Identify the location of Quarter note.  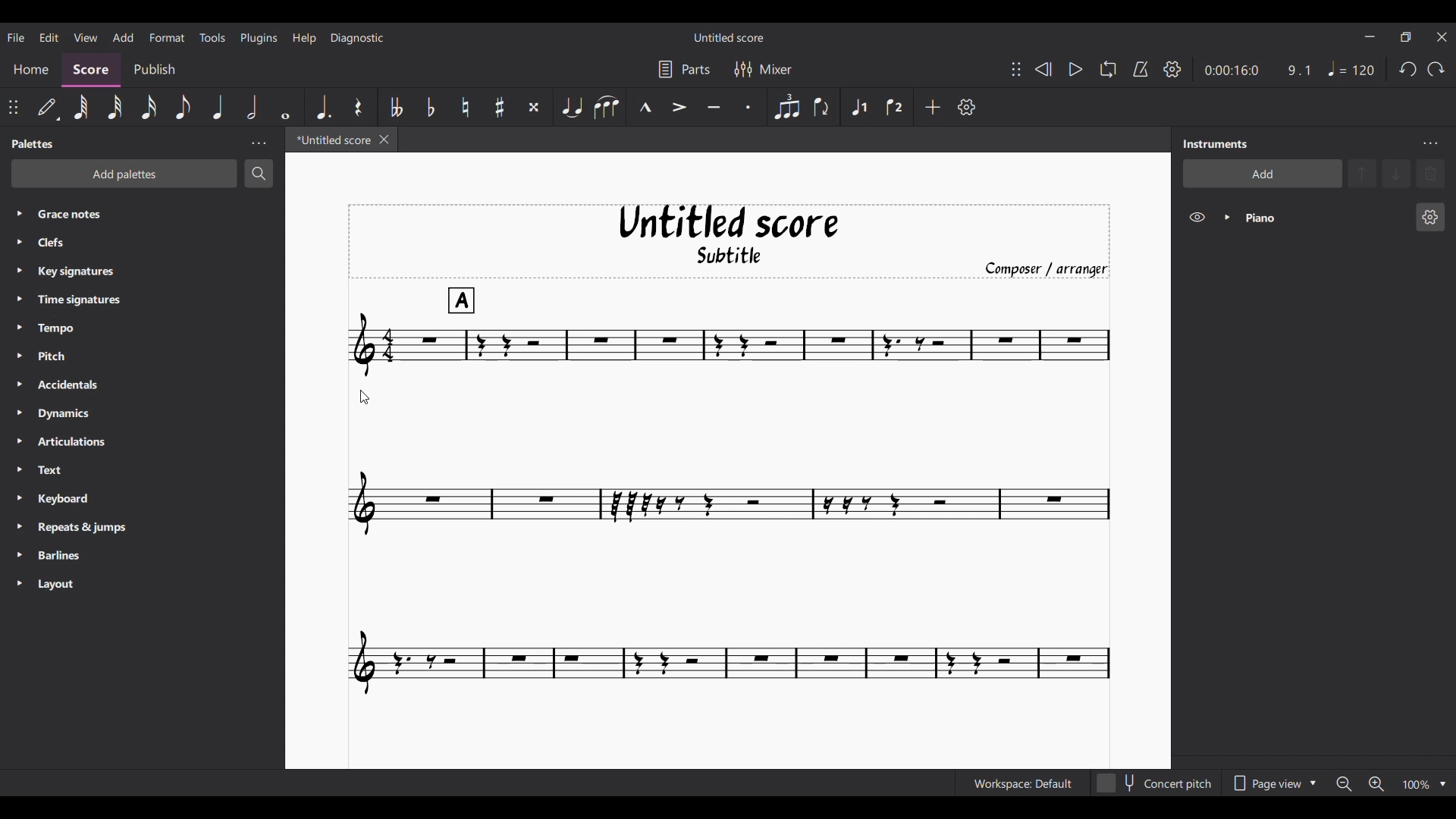
(1351, 68).